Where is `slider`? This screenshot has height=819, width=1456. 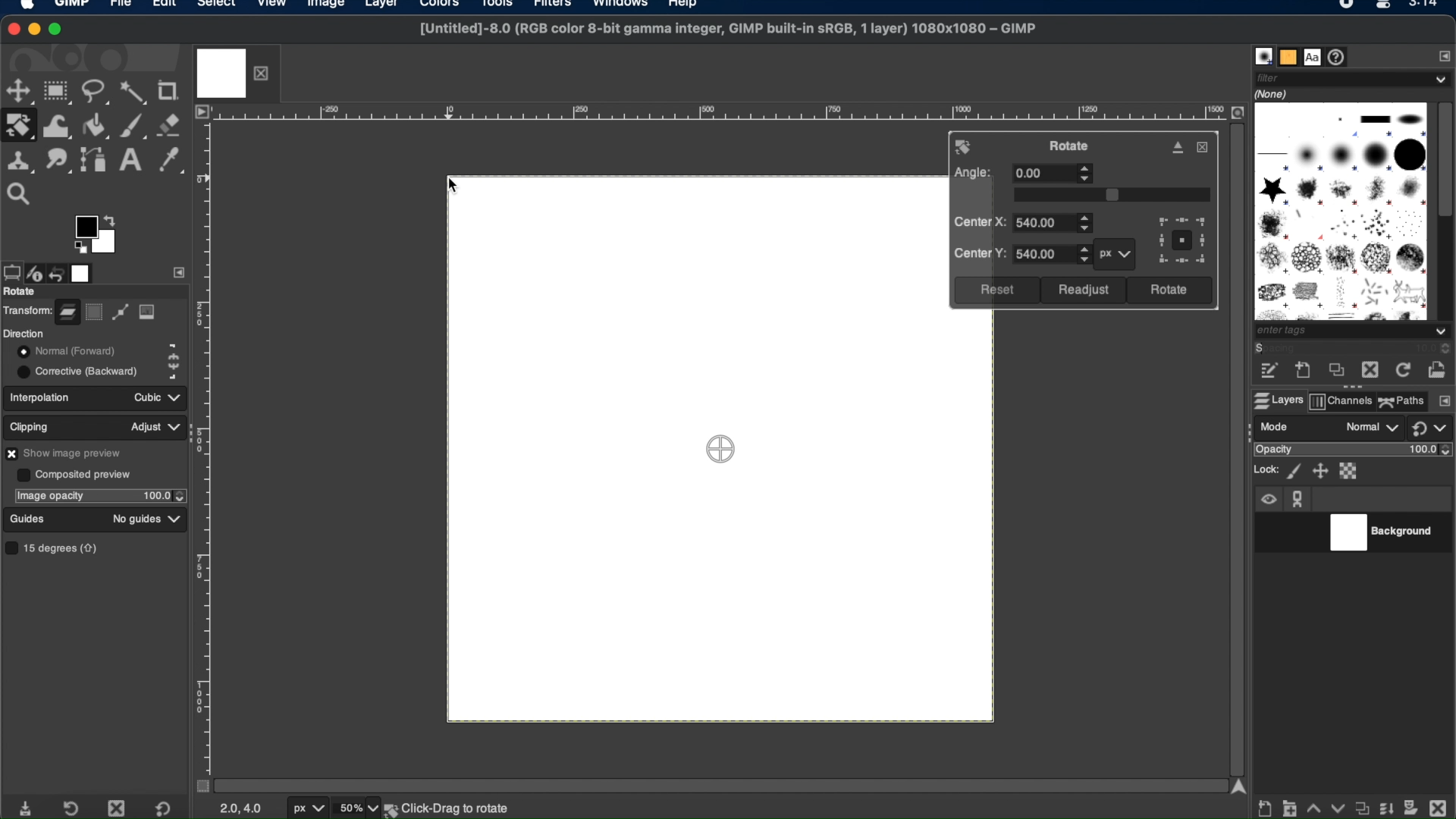 slider is located at coordinates (1112, 195).